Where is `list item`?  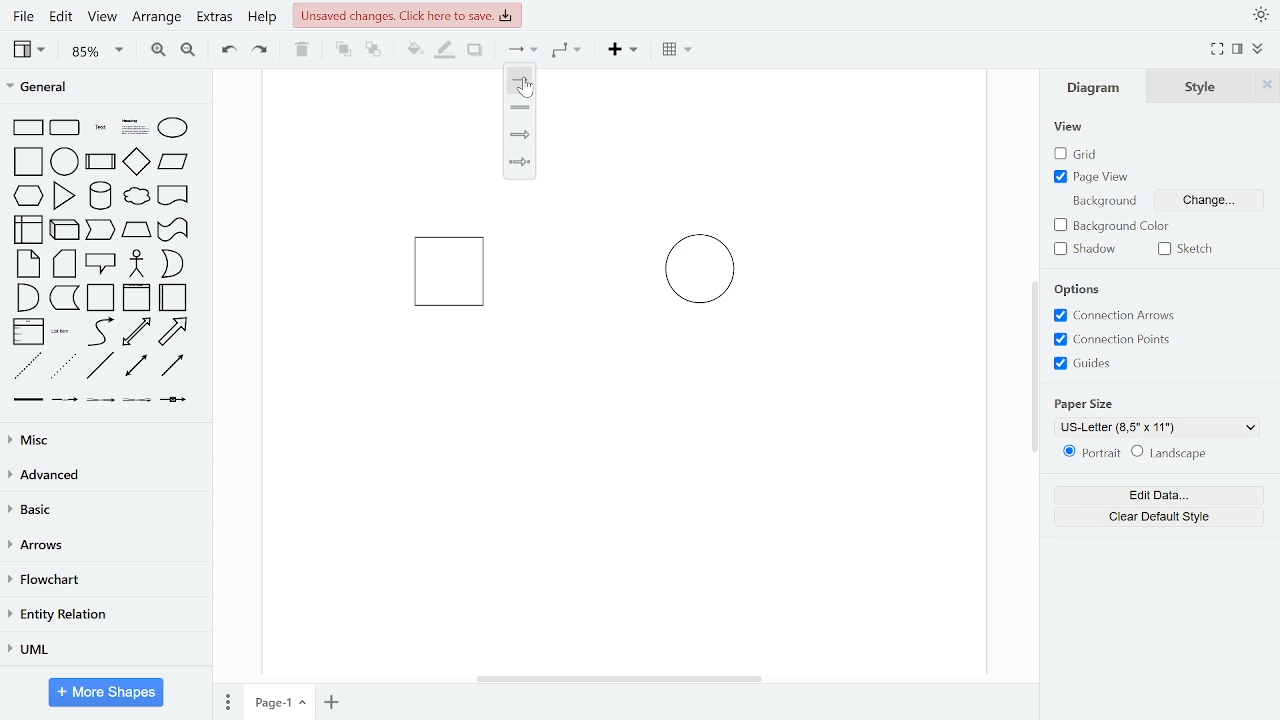
list item is located at coordinates (61, 331).